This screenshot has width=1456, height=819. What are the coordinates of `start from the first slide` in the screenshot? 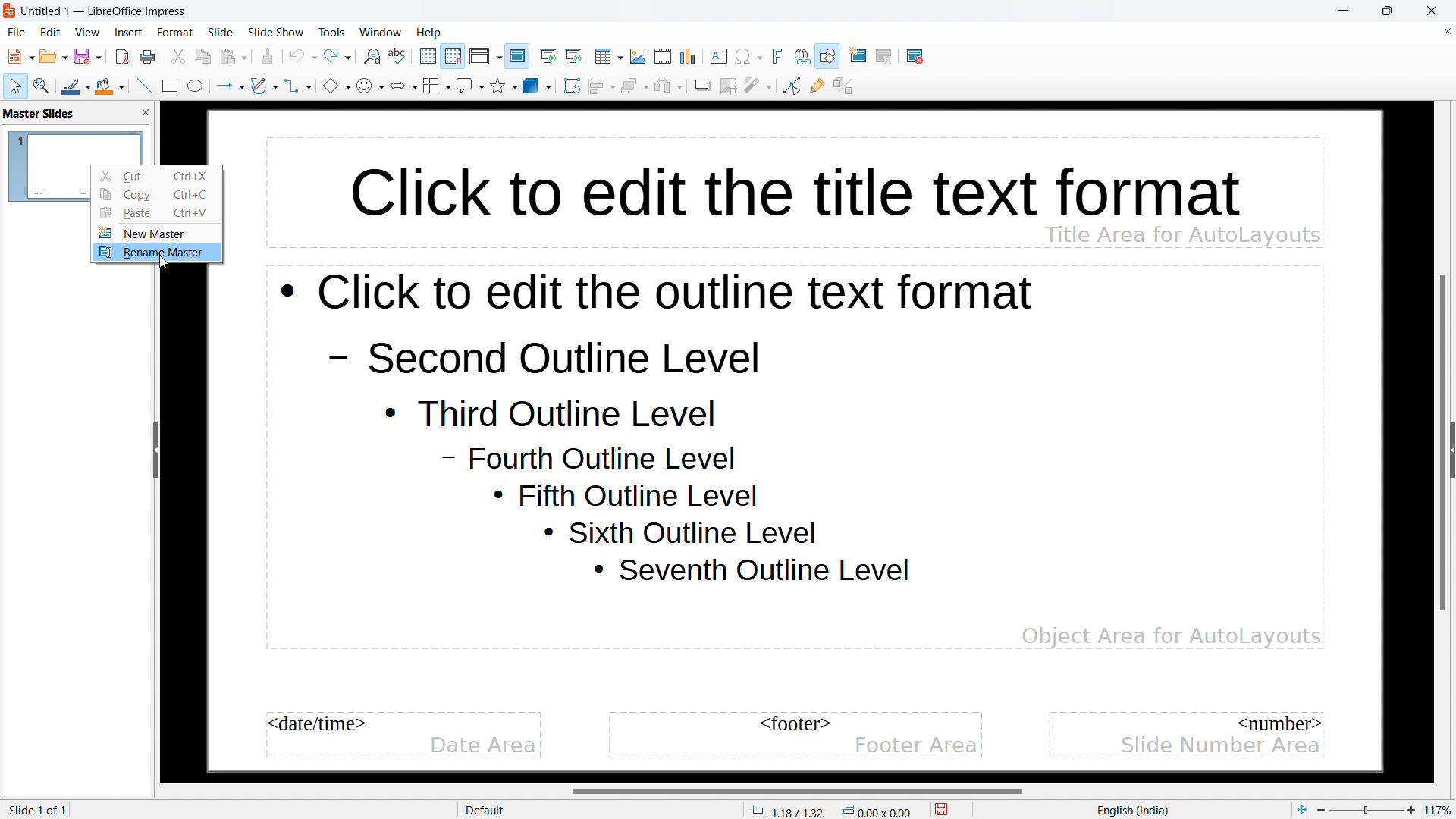 It's located at (549, 57).